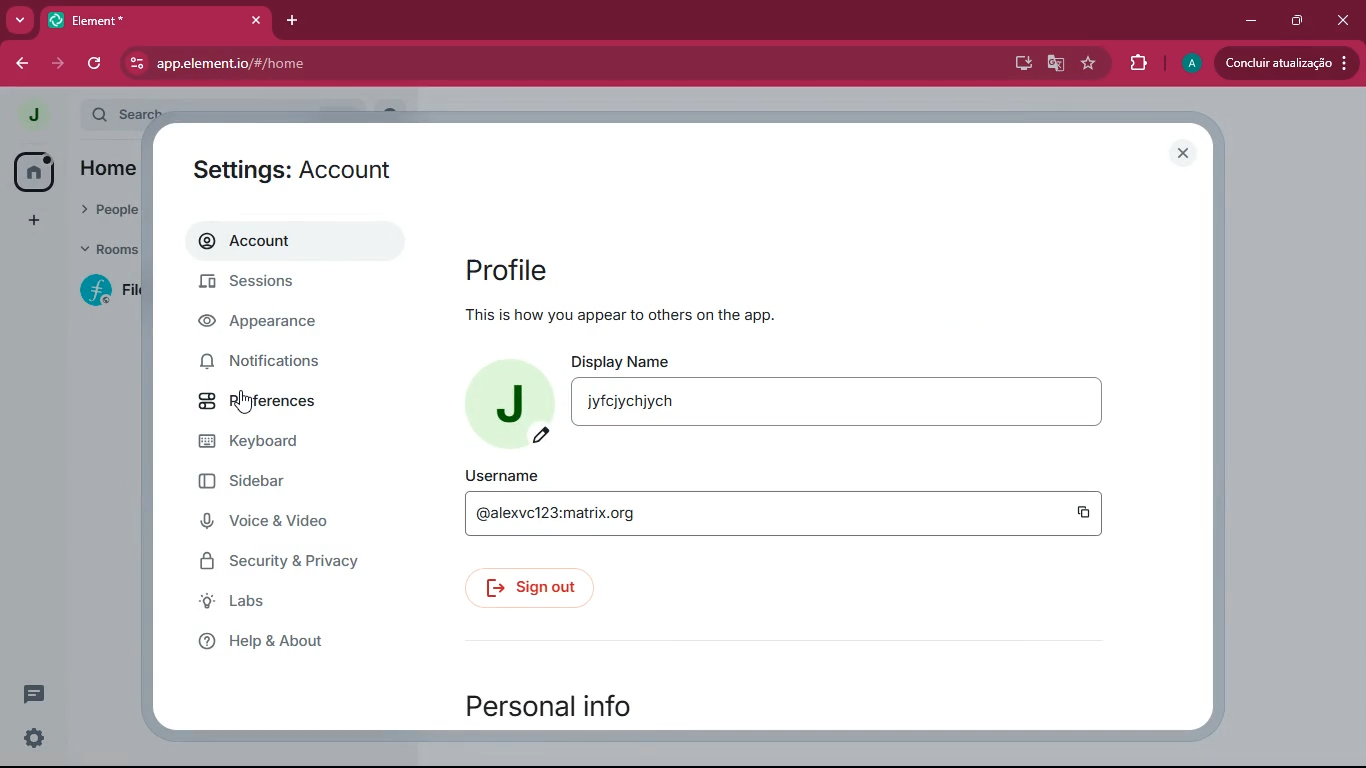 This screenshot has height=768, width=1366. What do you see at coordinates (621, 360) in the screenshot?
I see `display name` at bounding box center [621, 360].